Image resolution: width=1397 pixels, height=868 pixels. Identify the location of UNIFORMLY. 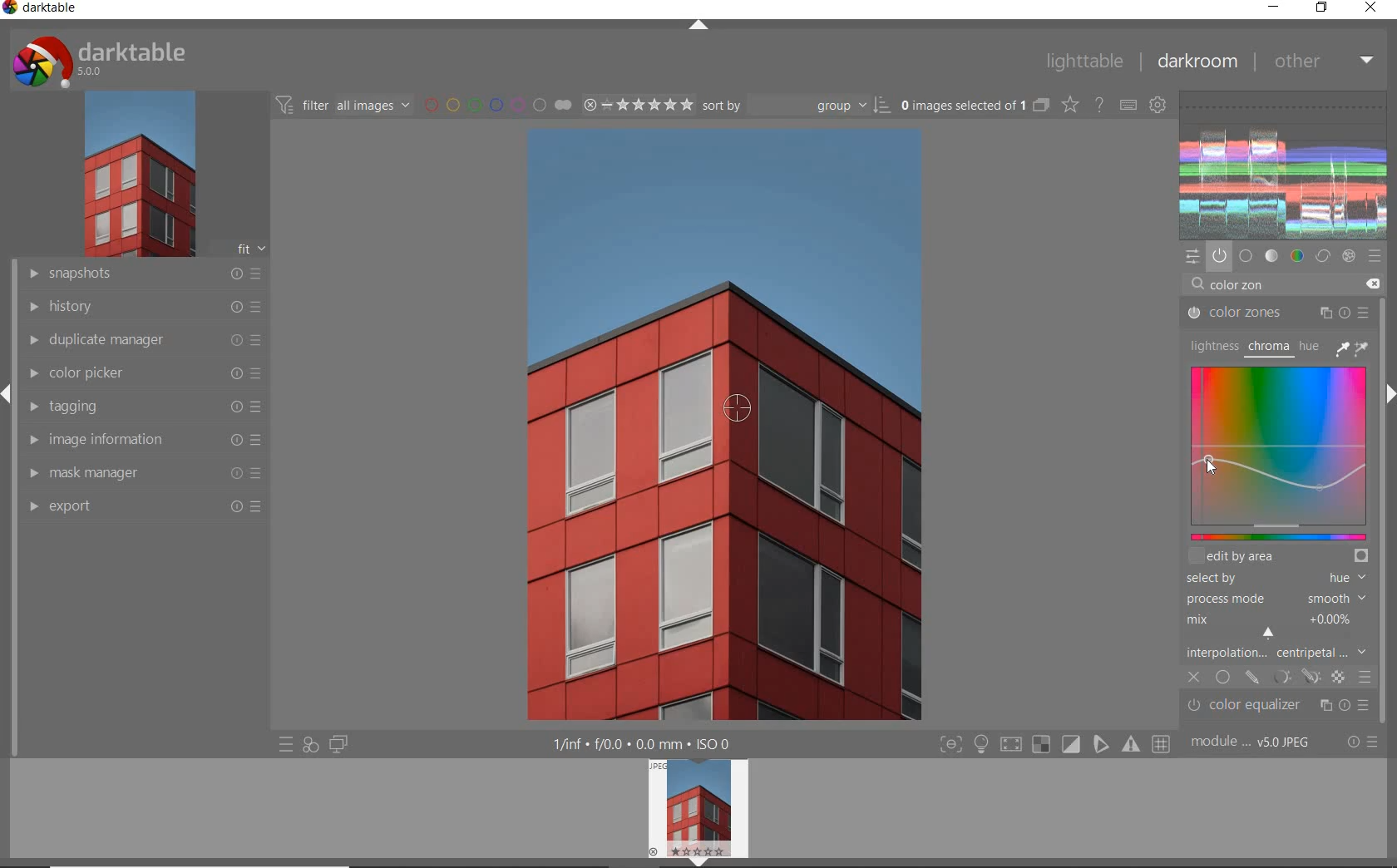
(1222, 678).